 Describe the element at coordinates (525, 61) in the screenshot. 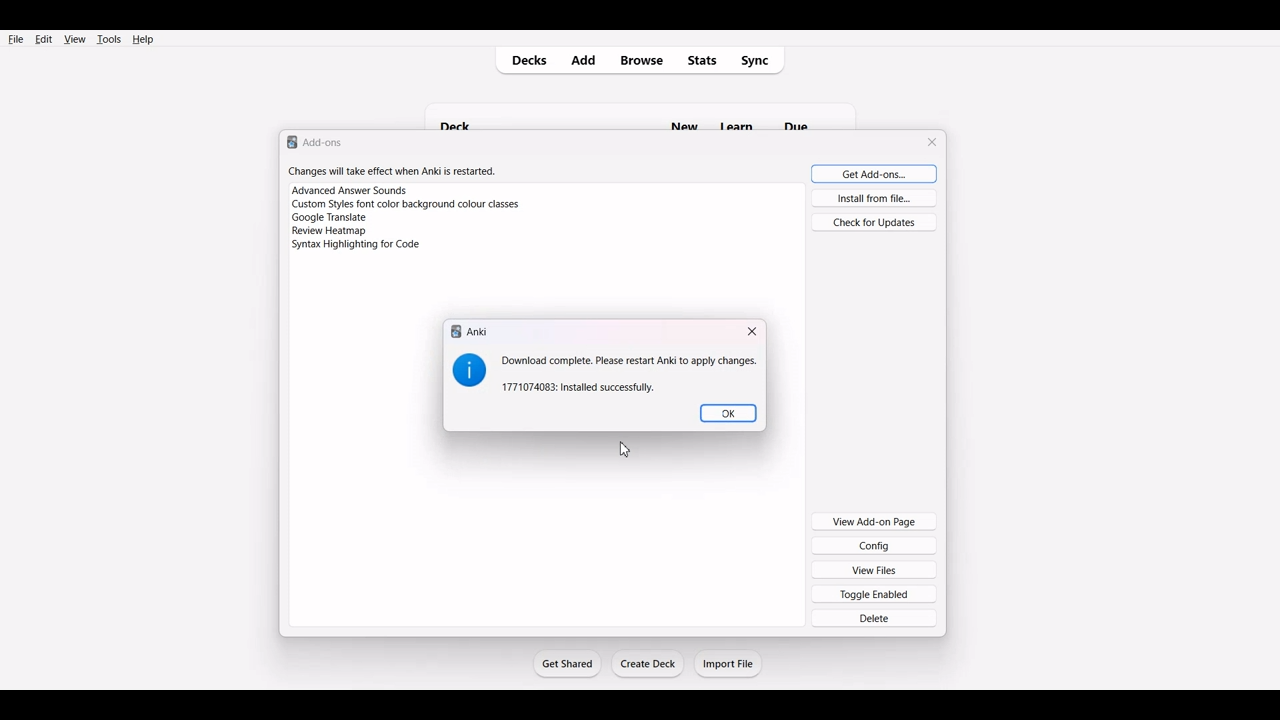

I see `Decks` at that location.